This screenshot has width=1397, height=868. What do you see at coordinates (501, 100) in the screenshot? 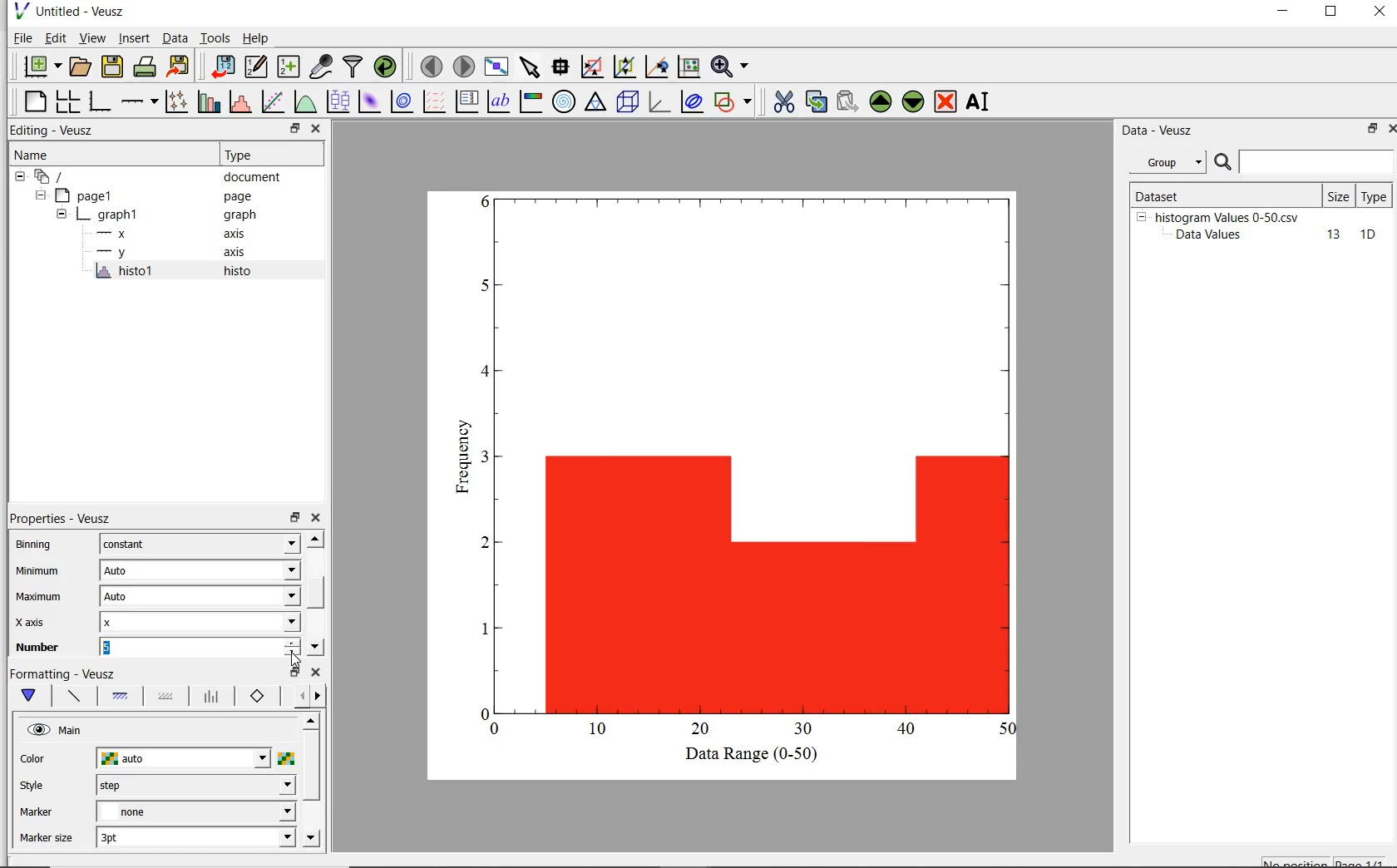
I see `text label` at bounding box center [501, 100].